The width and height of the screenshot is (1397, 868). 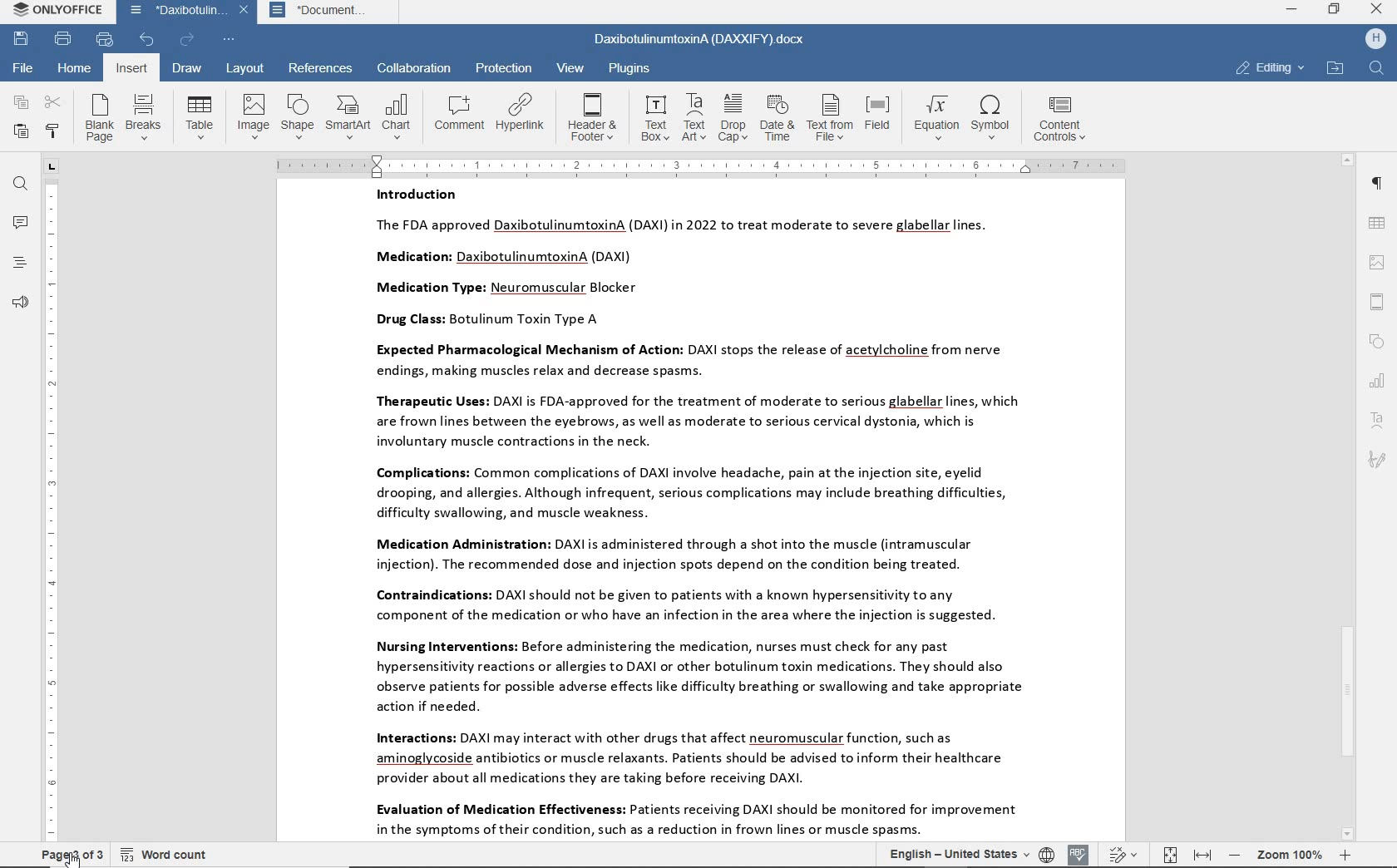 What do you see at coordinates (189, 69) in the screenshot?
I see `draw` at bounding box center [189, 69].